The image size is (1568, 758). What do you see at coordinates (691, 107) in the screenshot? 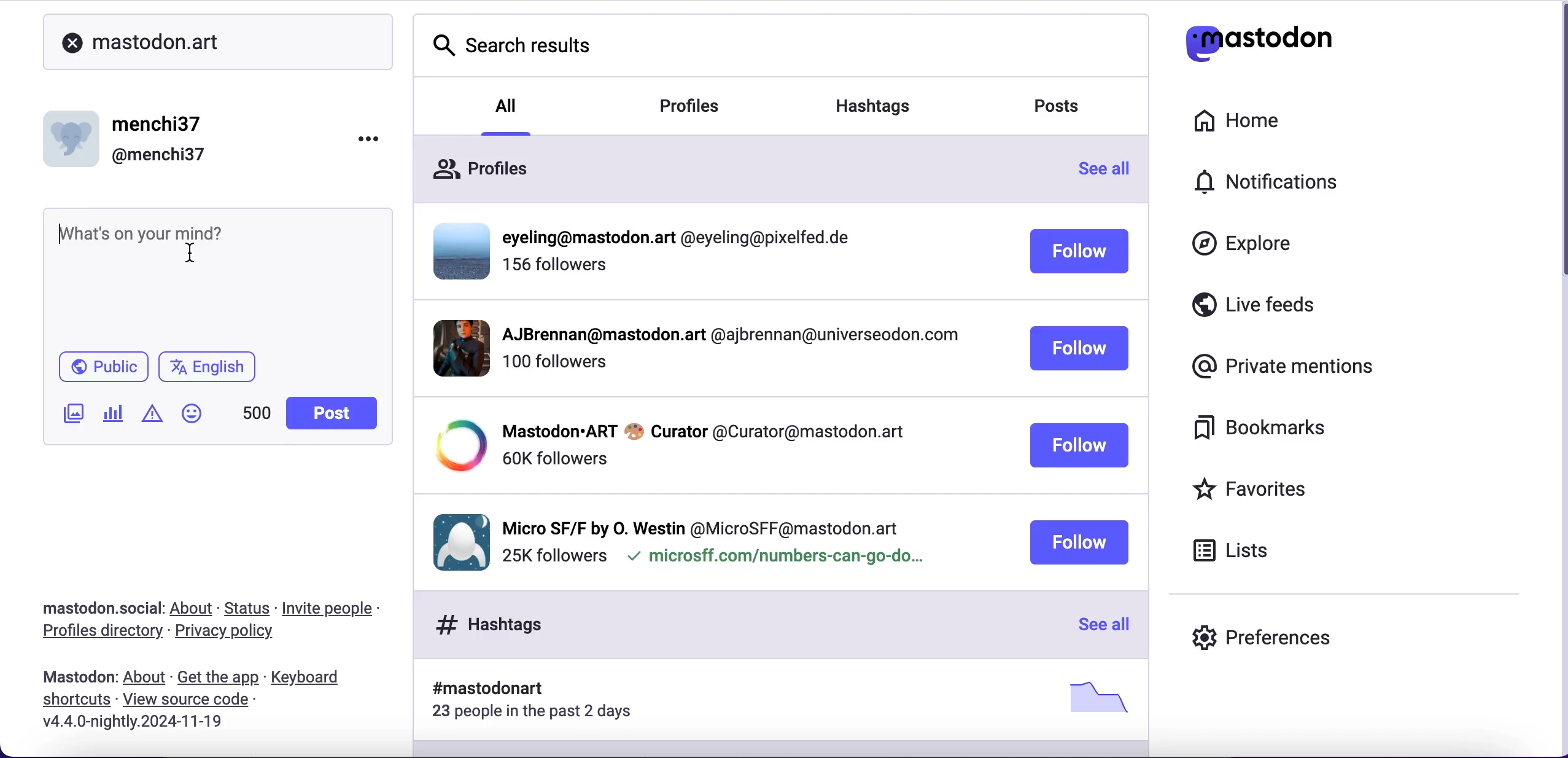
I see `profiles` at bounding box center [691, 107].